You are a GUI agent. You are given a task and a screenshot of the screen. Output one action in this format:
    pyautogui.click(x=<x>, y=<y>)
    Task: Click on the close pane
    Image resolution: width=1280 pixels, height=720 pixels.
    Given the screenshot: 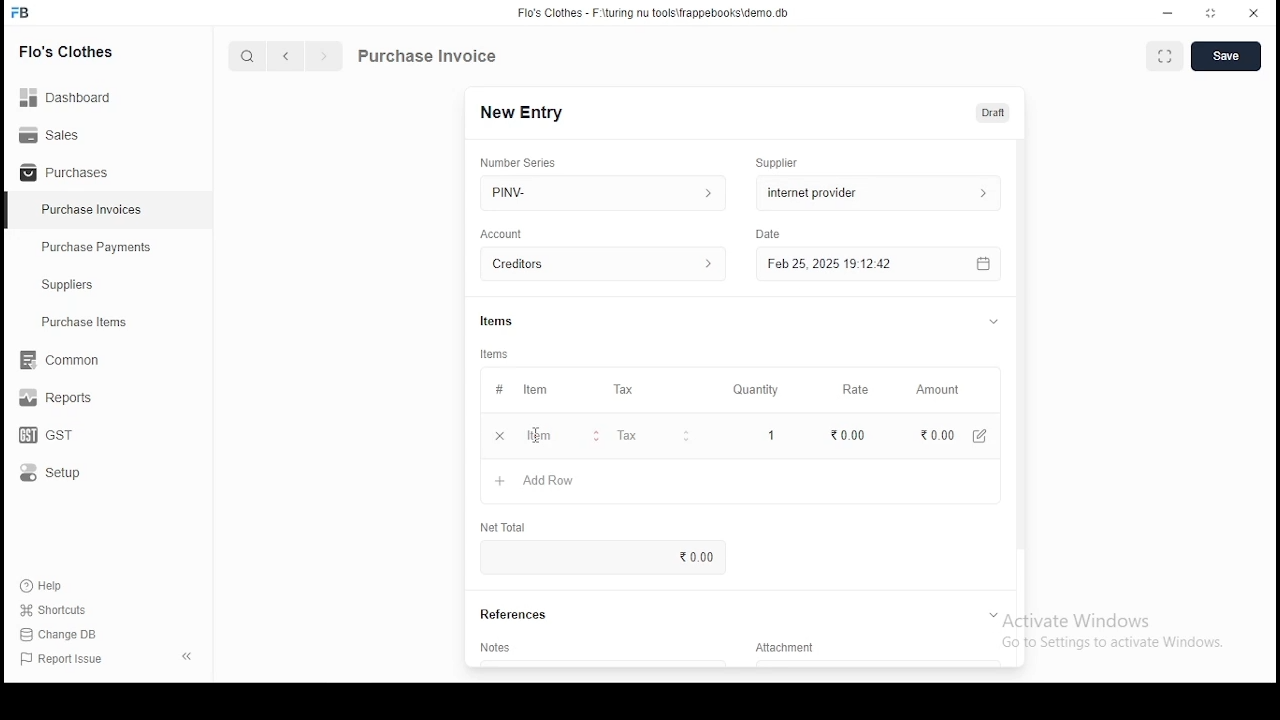 What is the action you would take?
    pyautogui.click(x=185, y=655)
    